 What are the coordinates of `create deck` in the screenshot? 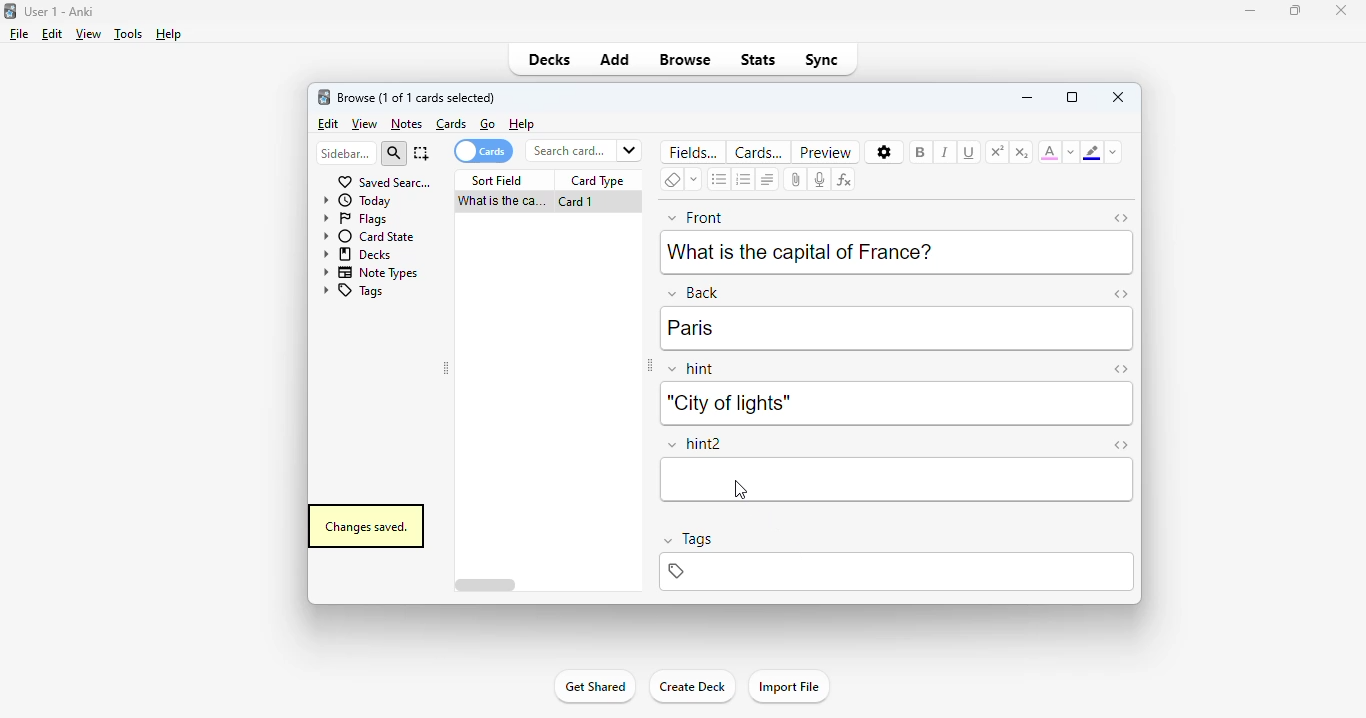 It's located at (691, 685).